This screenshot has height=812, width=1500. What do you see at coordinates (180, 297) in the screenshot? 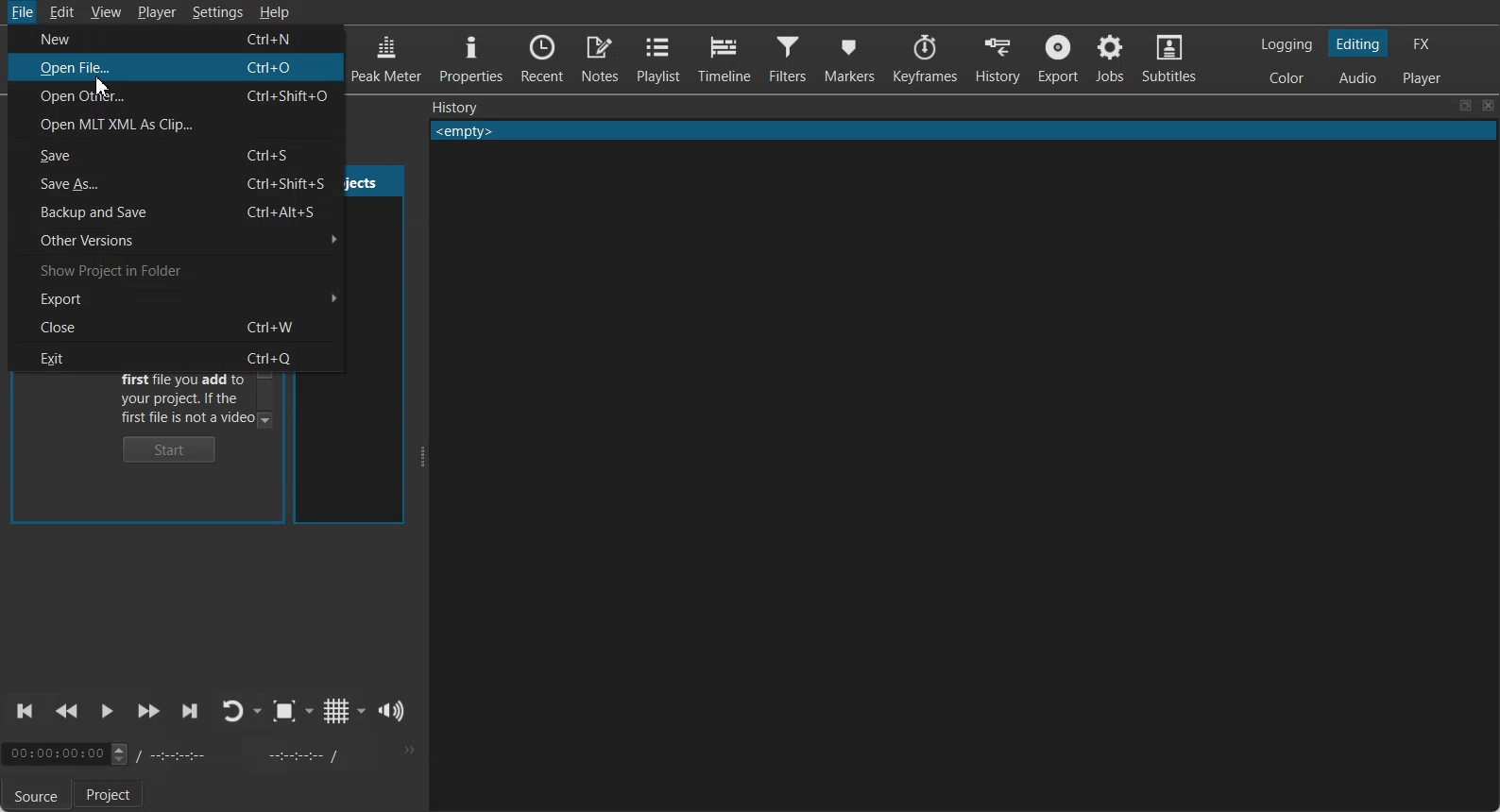
I see `Export` at bounding box center [180, 297].